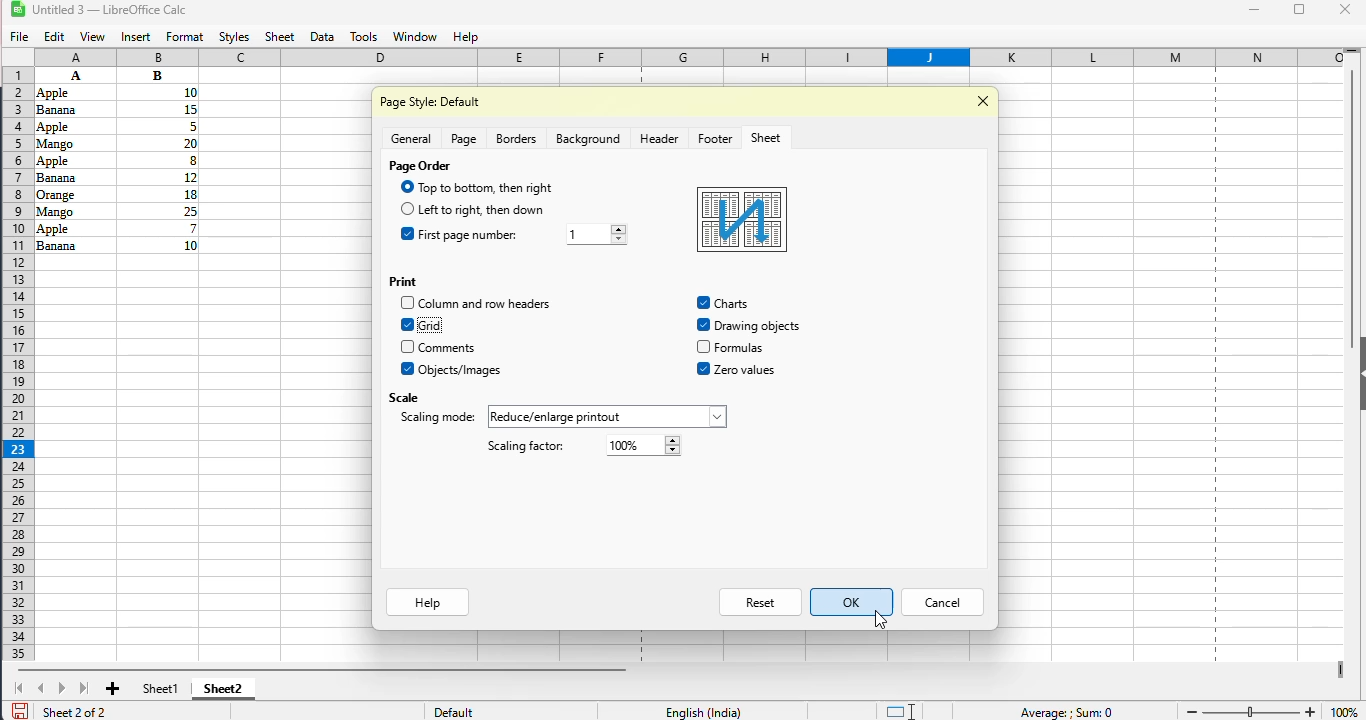 Image resolution: width=1366 pixels, height=720 pixels. What do you see at coordinates (487, 187) in the screenshot?
I see `top to bottom, then right` at bounding box center [487, 187].